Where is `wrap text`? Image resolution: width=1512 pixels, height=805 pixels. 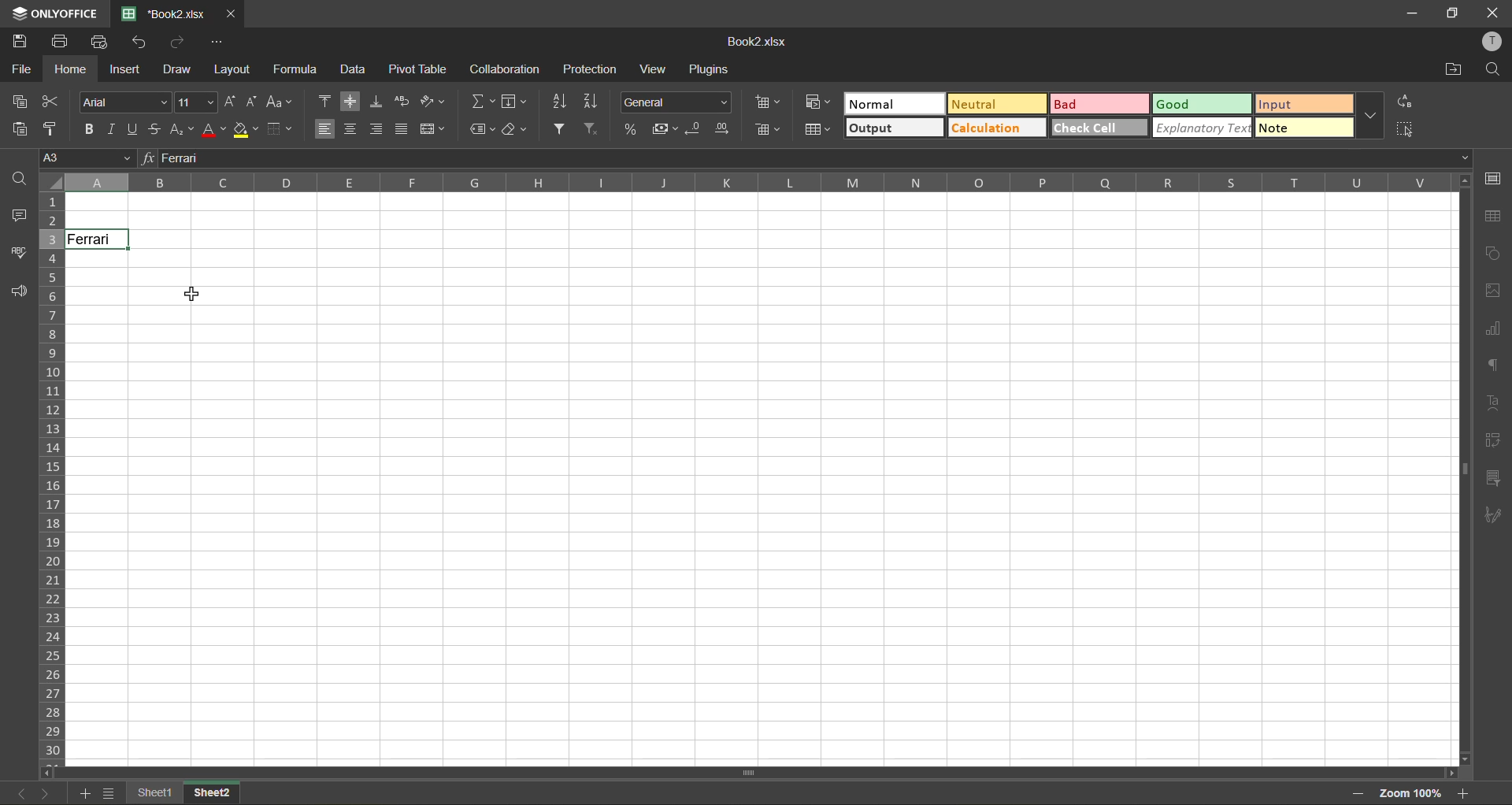
wrap text is located at coordinates (406, 102).